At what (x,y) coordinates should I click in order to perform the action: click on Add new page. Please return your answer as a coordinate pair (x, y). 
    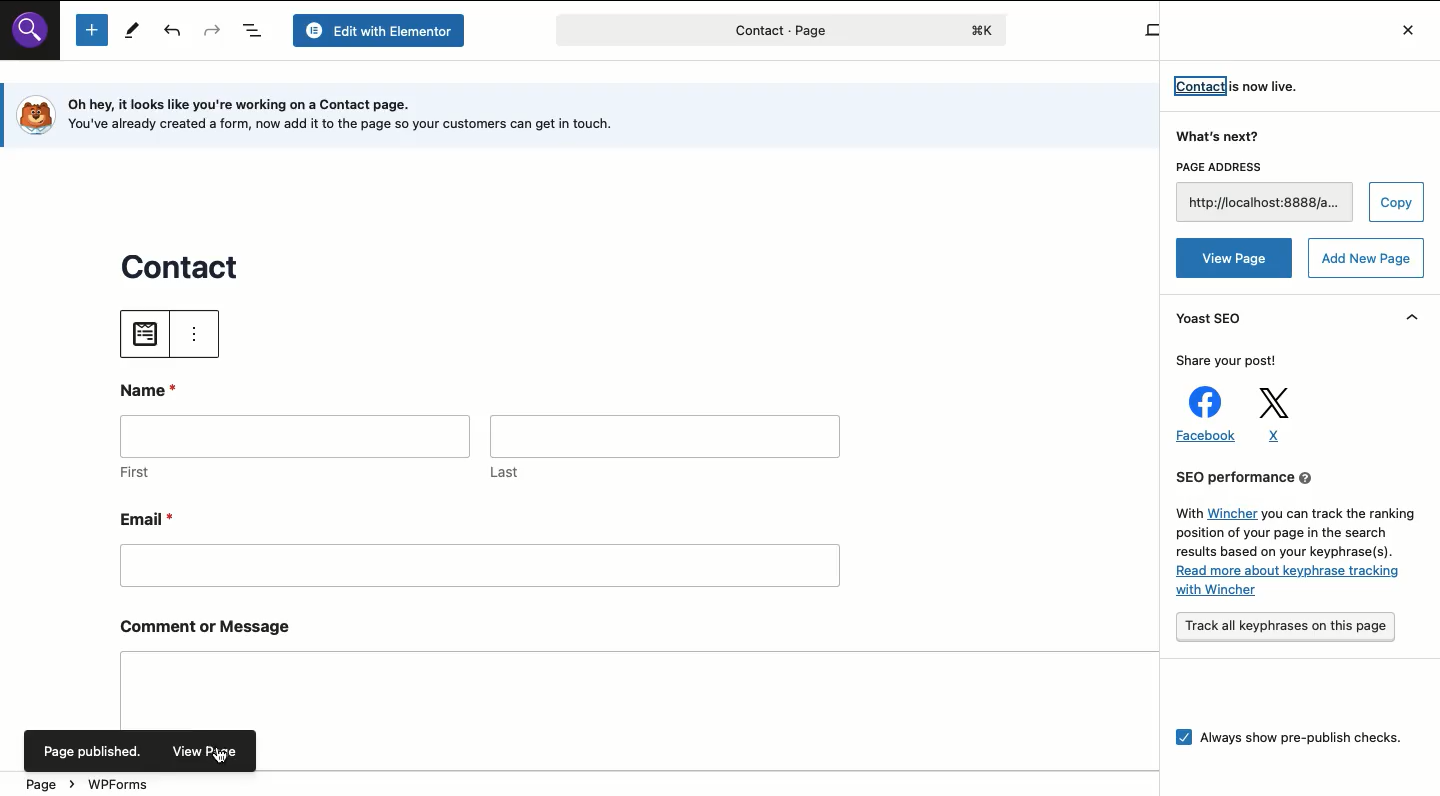
    Looking at the image, I should click on (1367, 259).